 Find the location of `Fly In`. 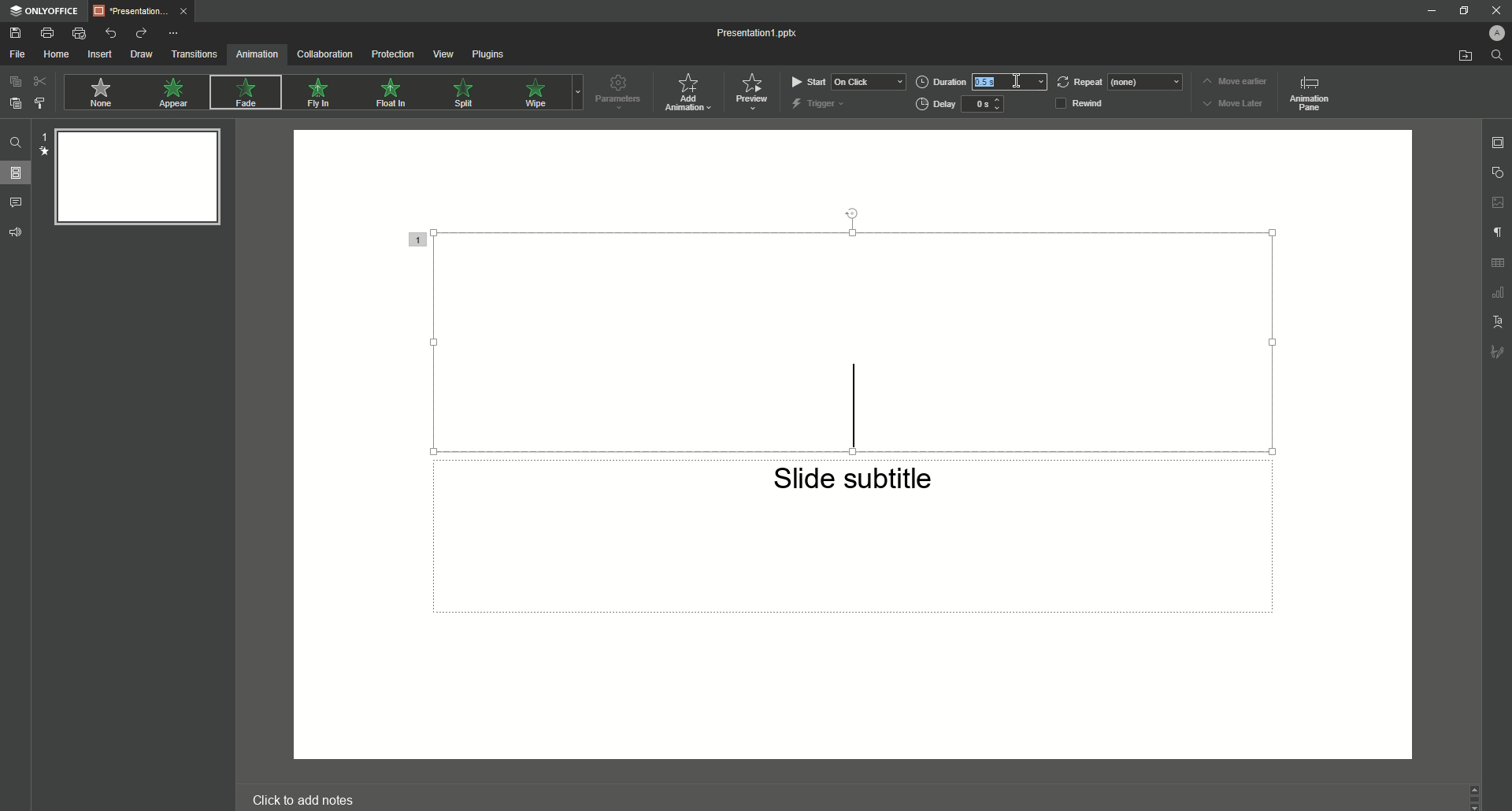

Fly In is located at coordinates (319, 92).